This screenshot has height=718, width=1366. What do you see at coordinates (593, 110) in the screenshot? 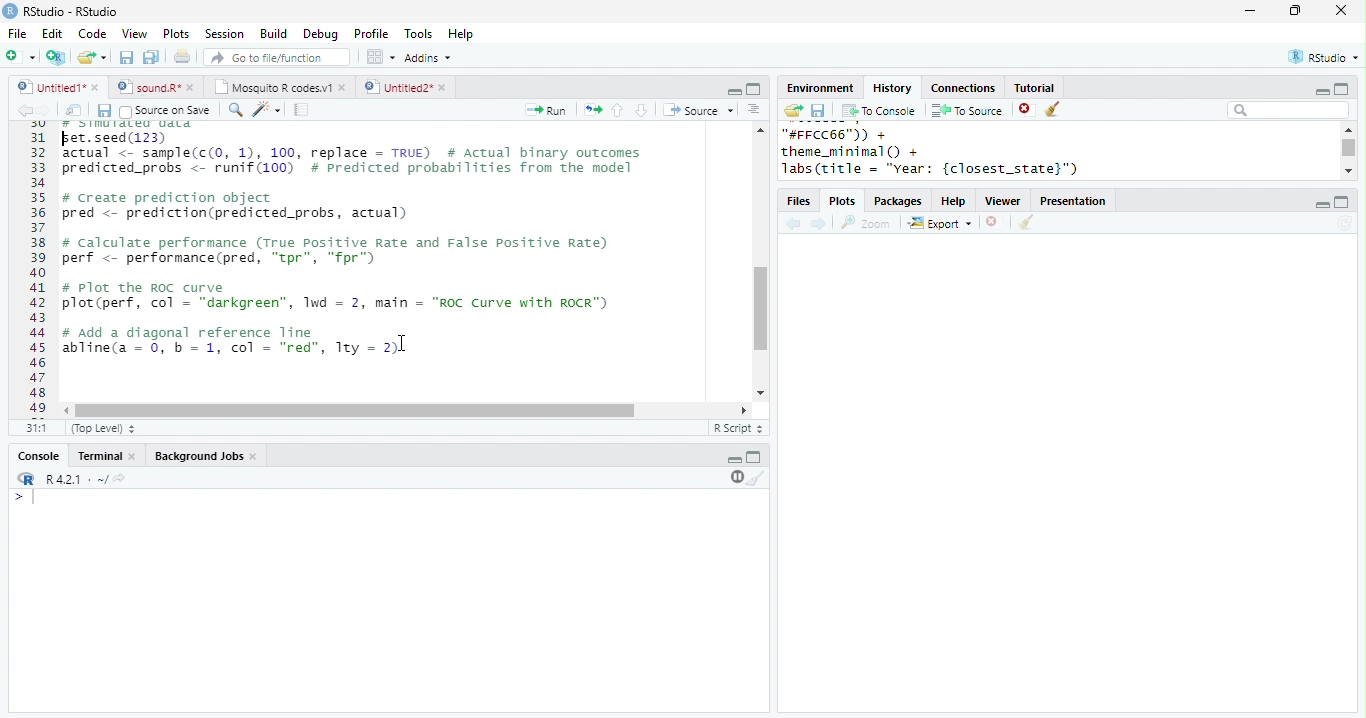
I see `rerun` at bounding box center [593, 110].